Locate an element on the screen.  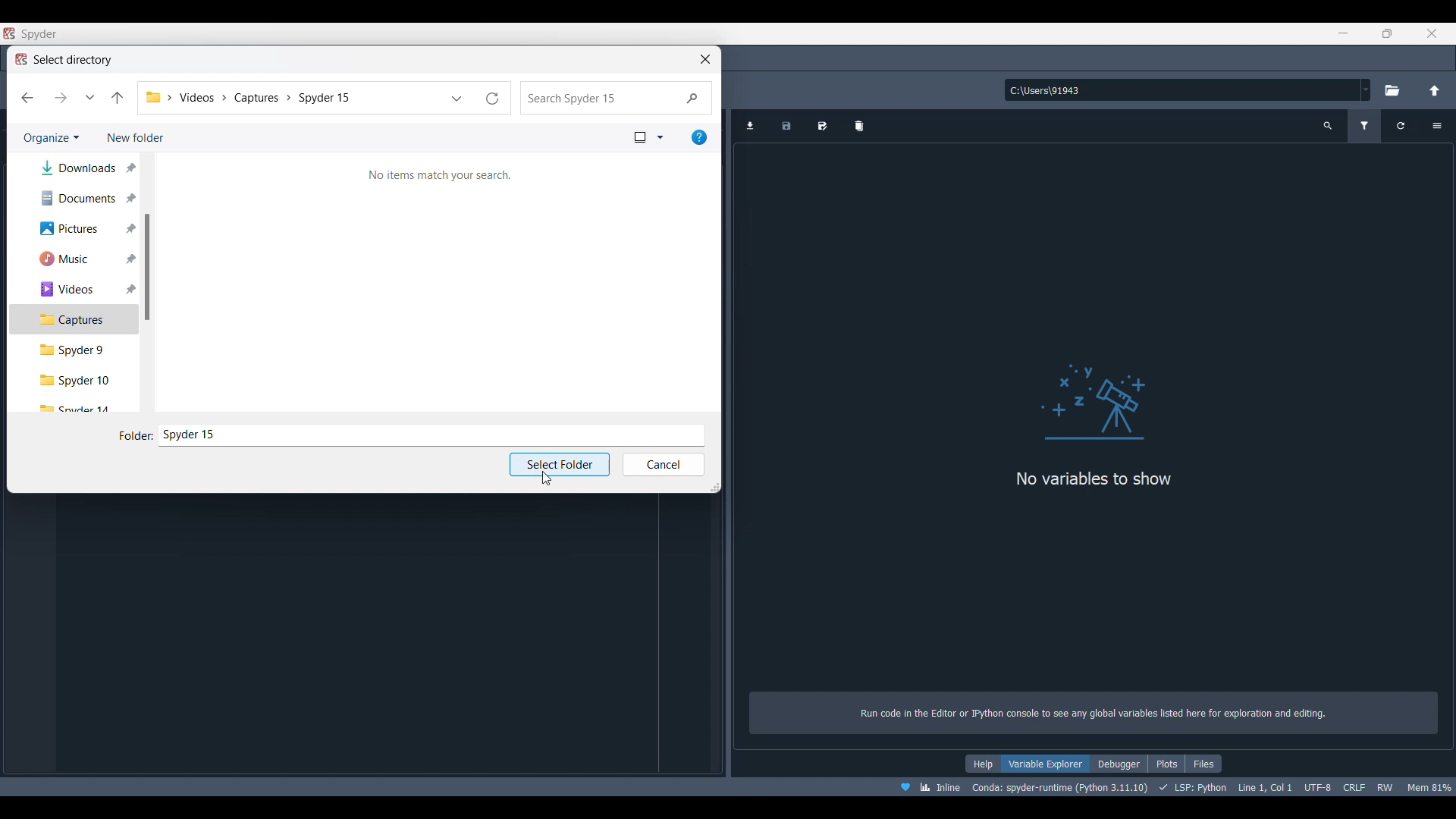
Window title is located at coordinates (61, 61).